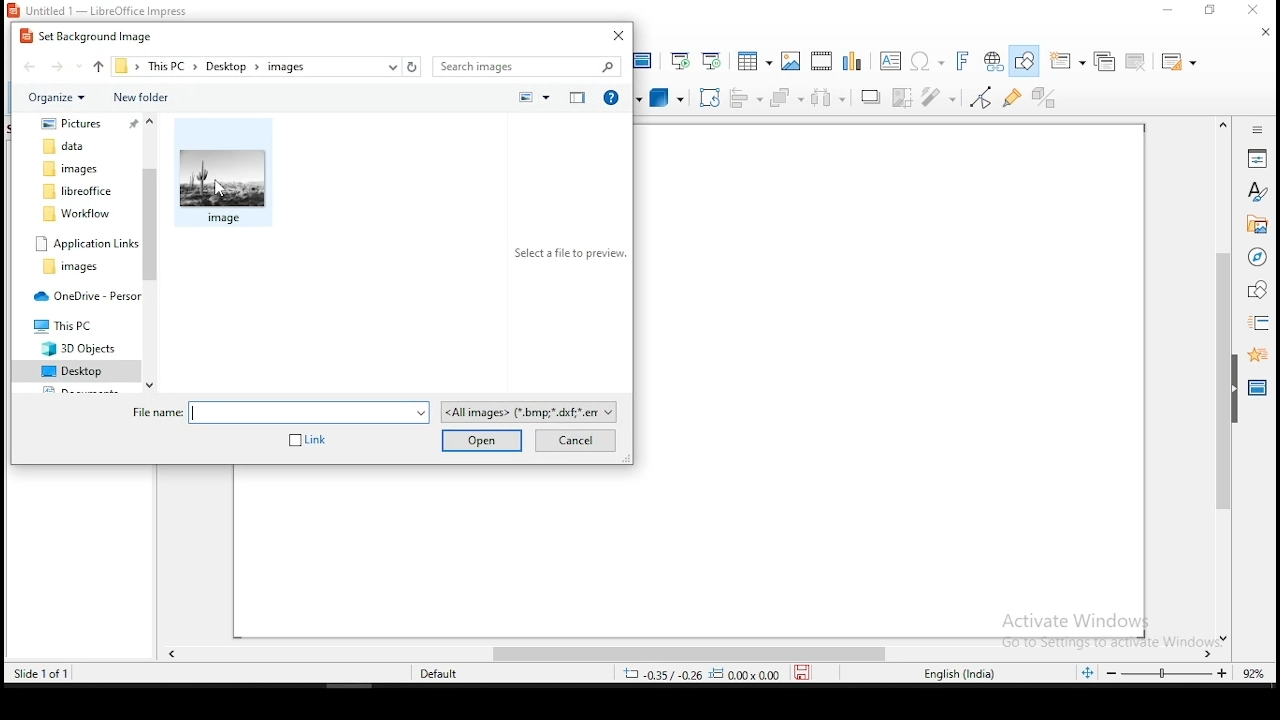 Image resolution: width=1280 pixels, height=720 pixels. Describe the element at coordinates (412, 66) in the screenshot. I see `refresh` at that location.